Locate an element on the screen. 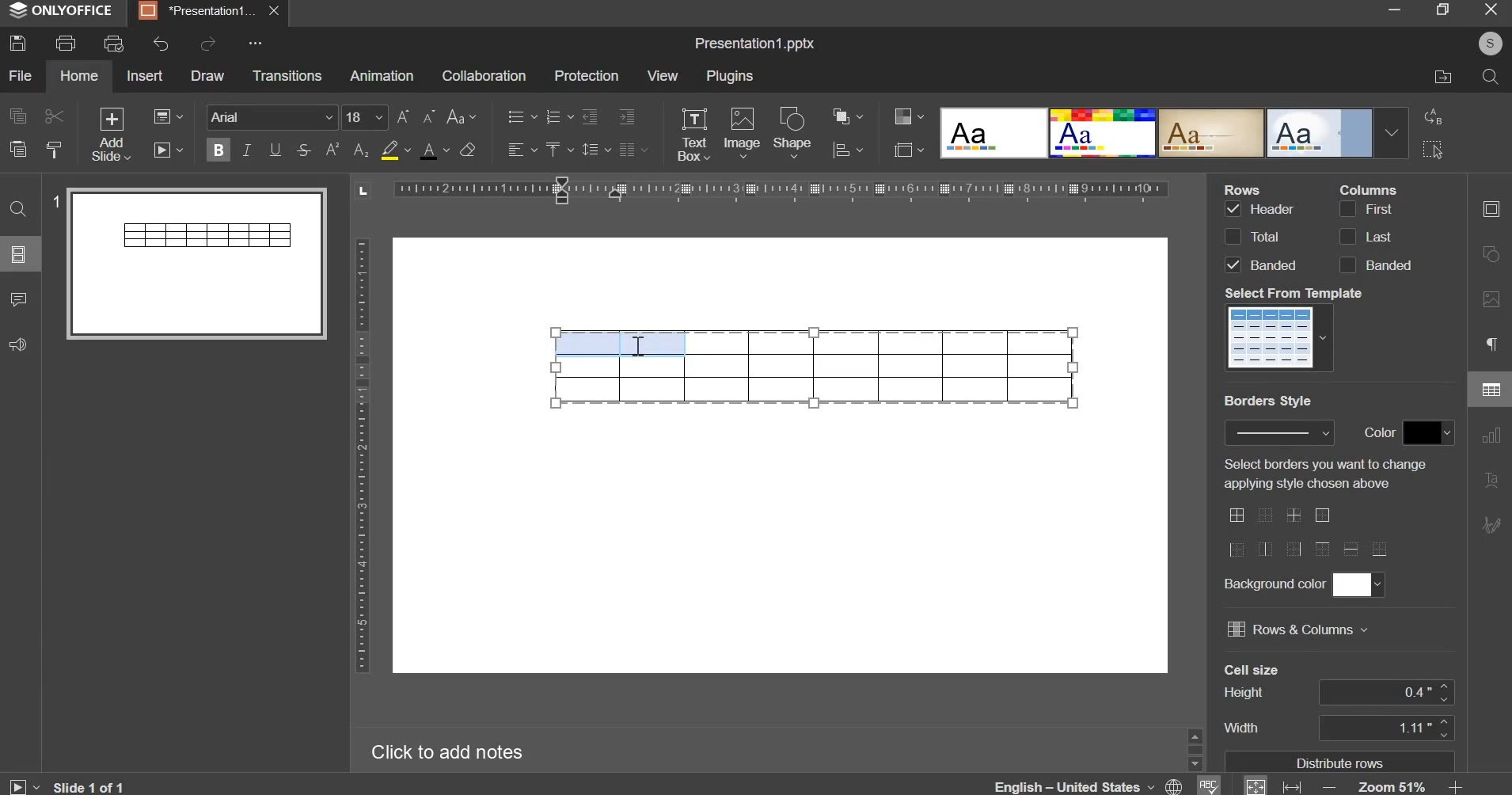  transitions is located at coordinates (287, 74).